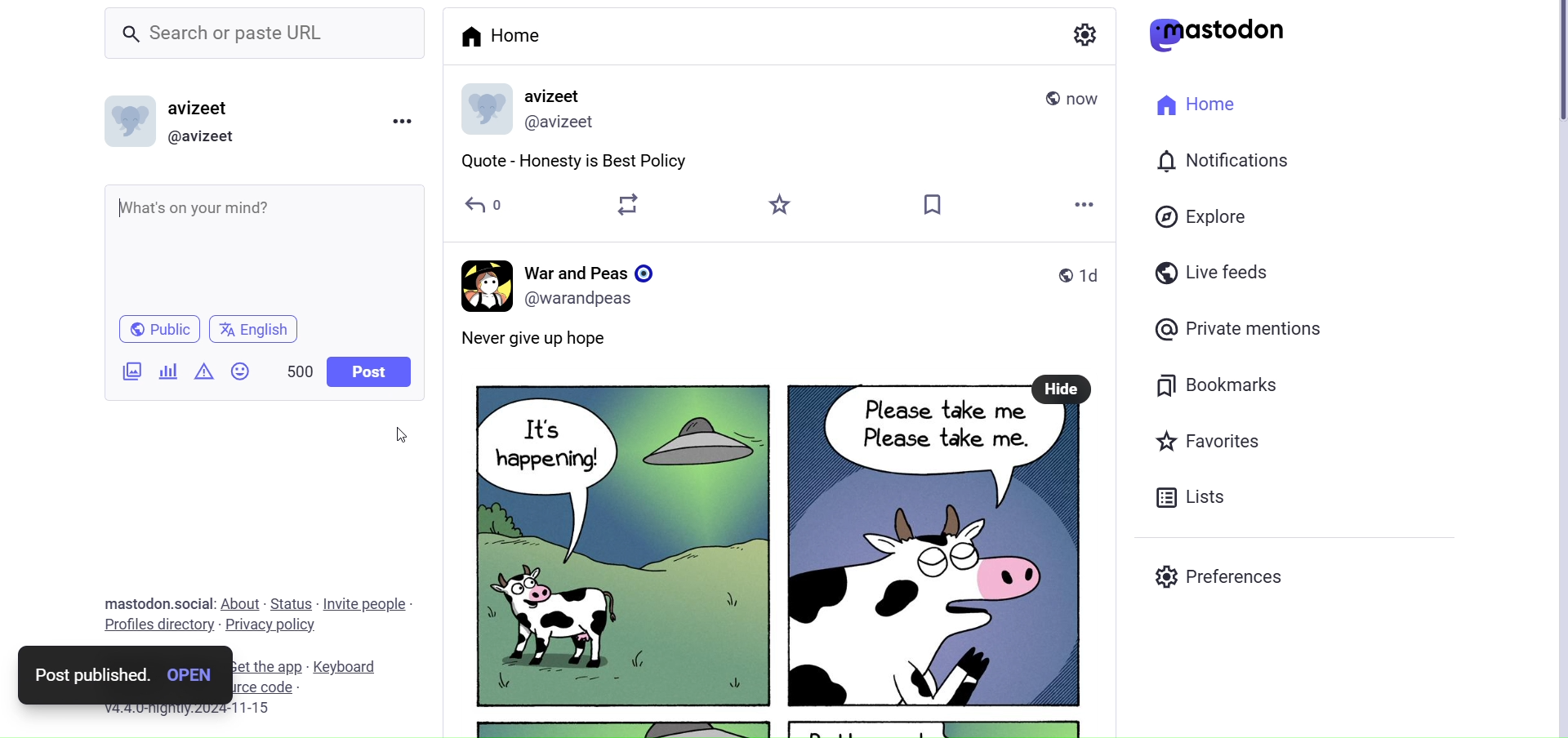 Image resolution: width=1568 pixels, height=738 pixels. What do you see at coordinates (402, 441) in the screenshot?
I see `Cursor` at bounding box center [402, 441].